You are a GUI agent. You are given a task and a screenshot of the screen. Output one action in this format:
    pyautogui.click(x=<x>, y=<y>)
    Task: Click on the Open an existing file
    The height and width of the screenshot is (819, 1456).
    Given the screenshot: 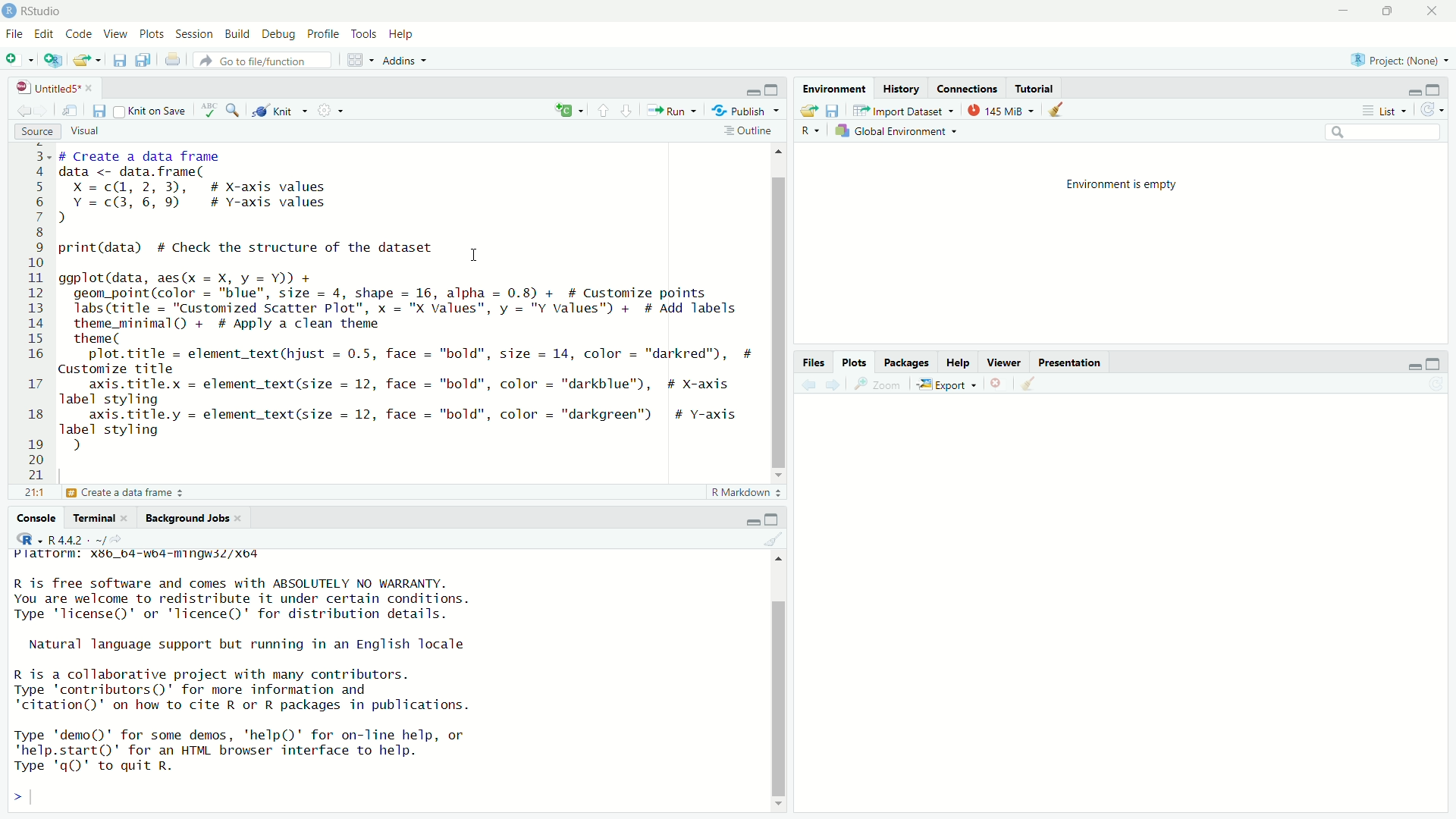 What is the action you would take?
    pyautogui.click(x=88, y=60)
    